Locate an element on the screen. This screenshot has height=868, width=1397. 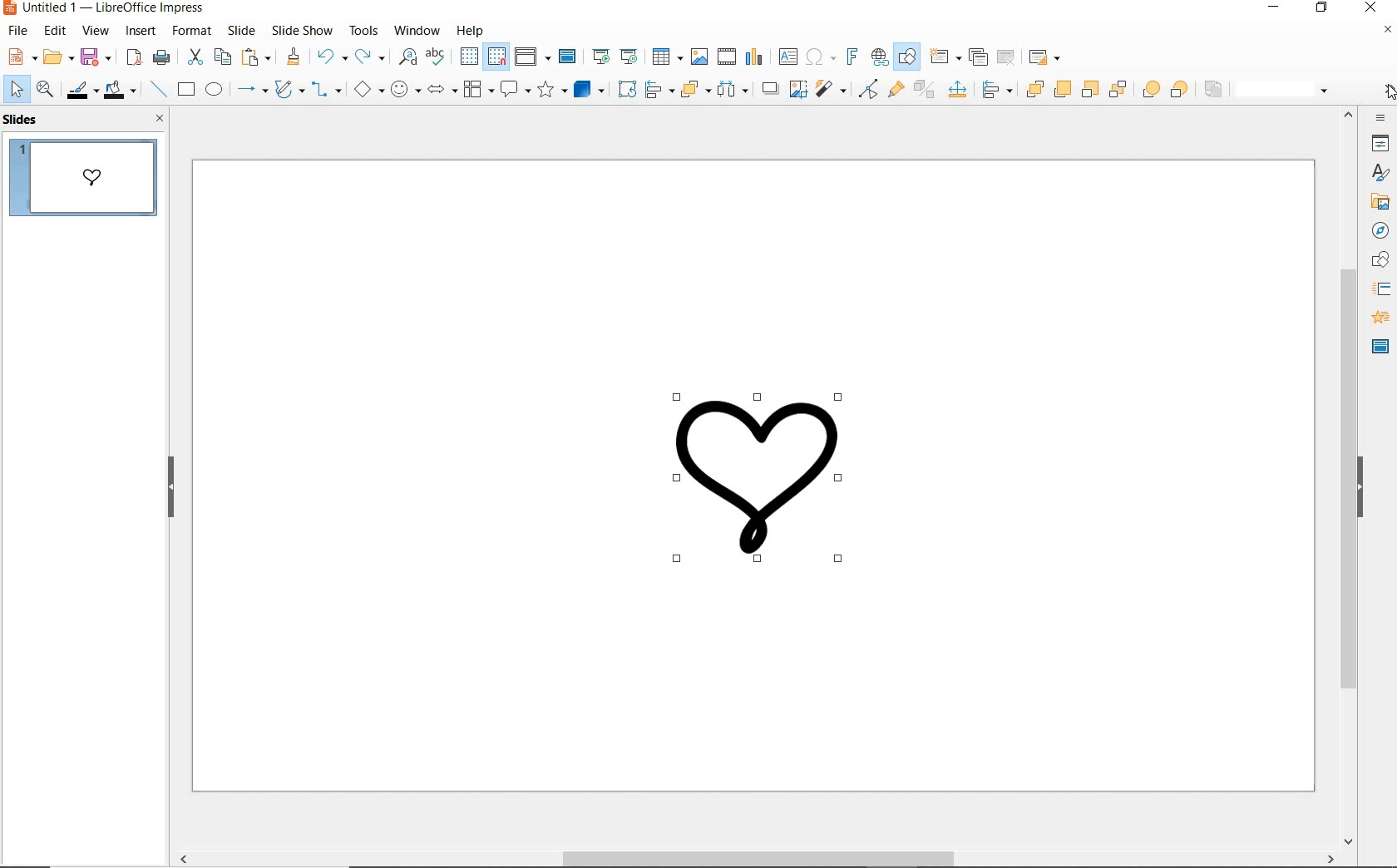
insert image is located at coordinates (698, 57).